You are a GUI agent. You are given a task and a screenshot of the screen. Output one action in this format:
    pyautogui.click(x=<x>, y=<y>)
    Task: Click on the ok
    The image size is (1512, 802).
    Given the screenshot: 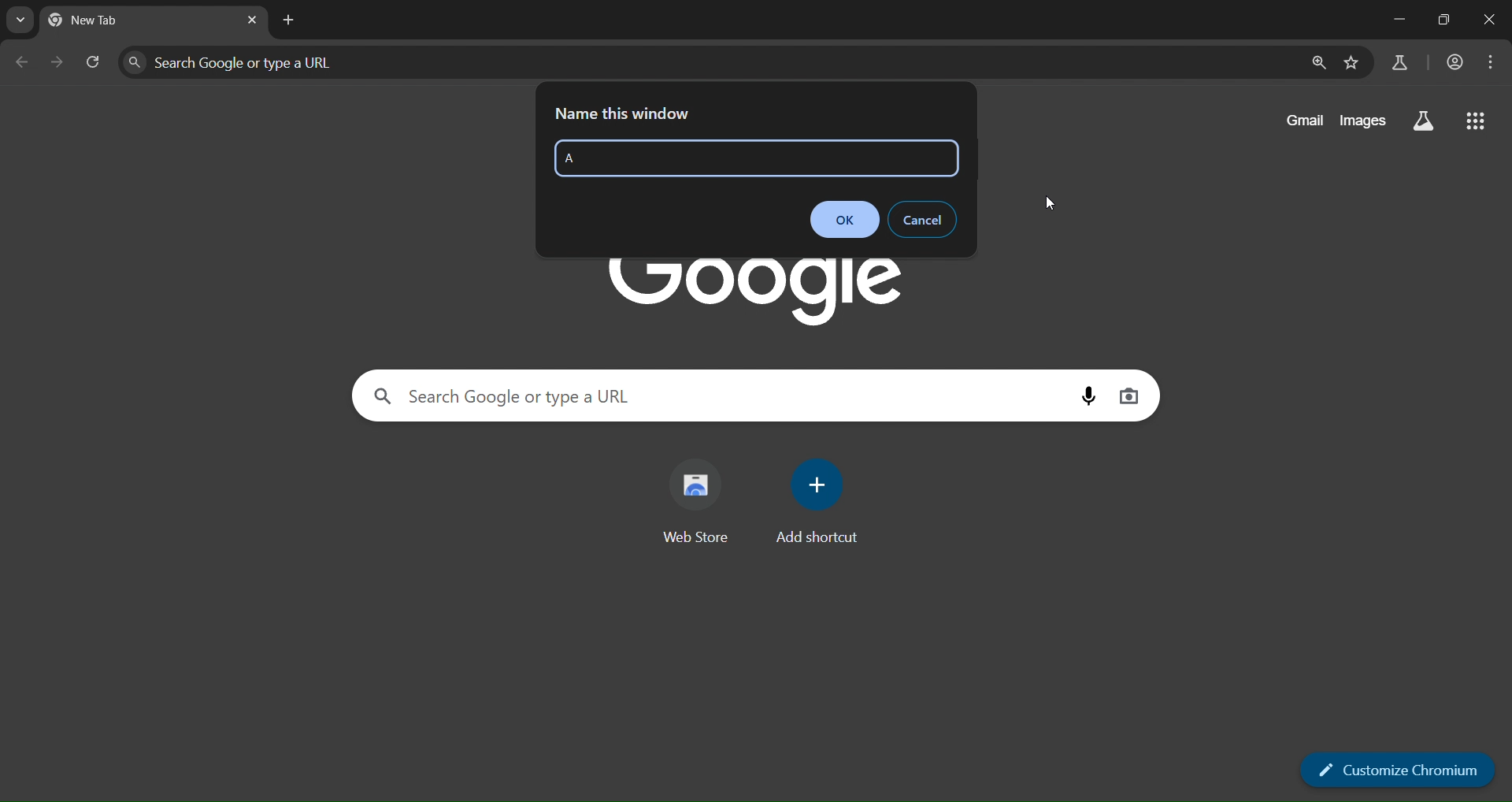 What is the action you would take?
    pyautogui.click(x=844, y=219)
    